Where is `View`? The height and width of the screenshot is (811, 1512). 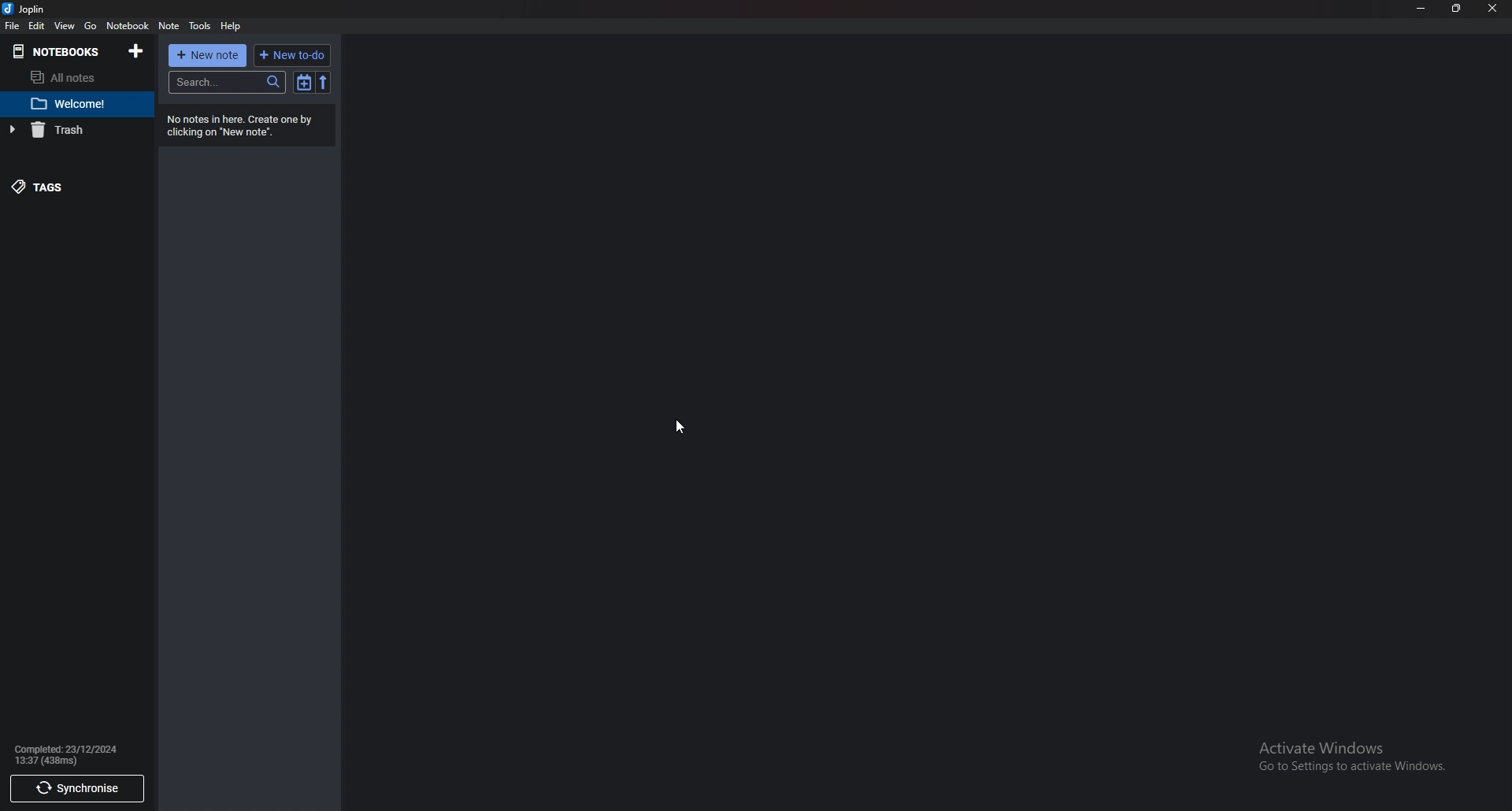 View is located at coordinates (65, 25).